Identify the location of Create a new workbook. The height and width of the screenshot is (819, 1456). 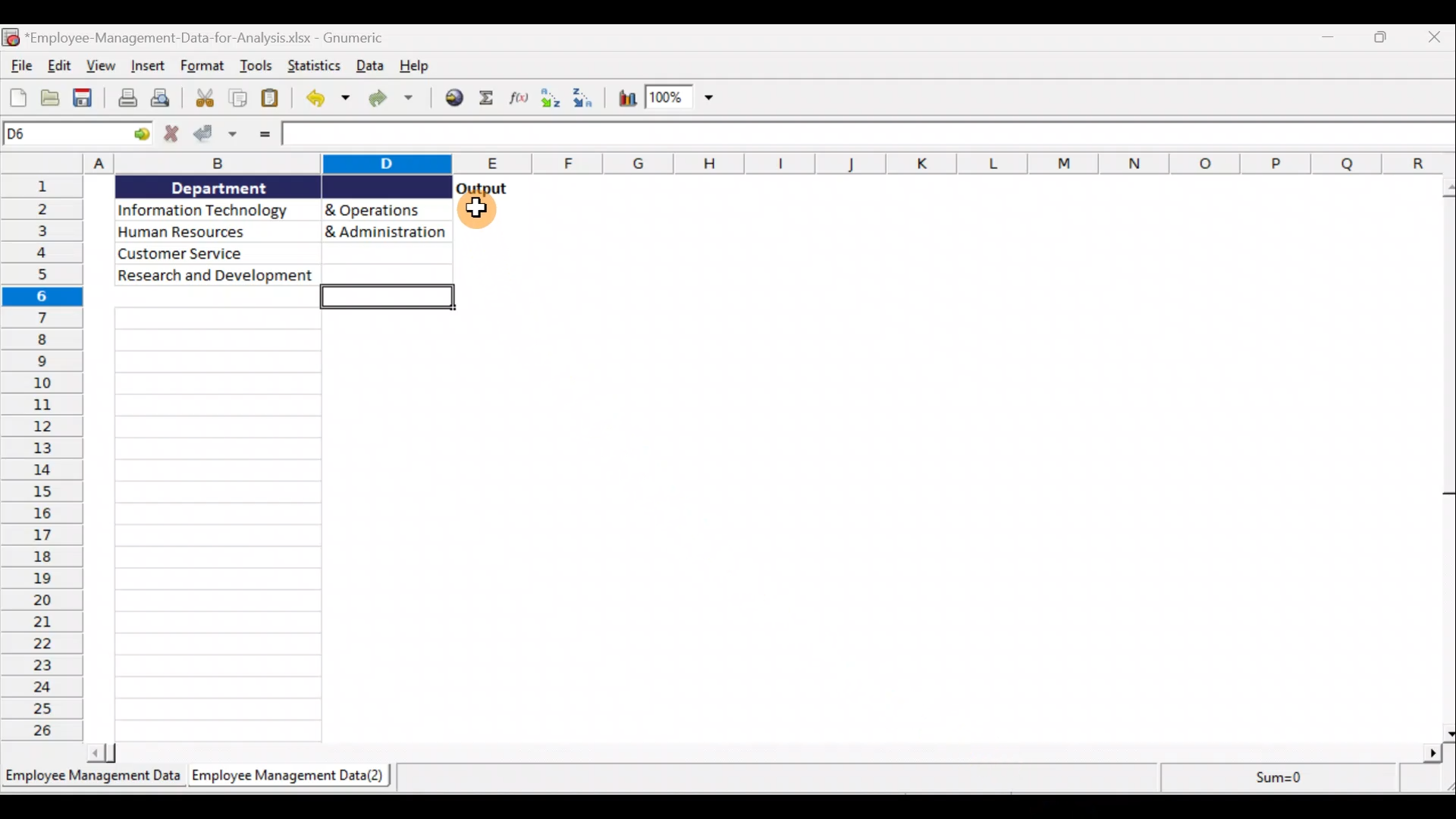
(17, 96).